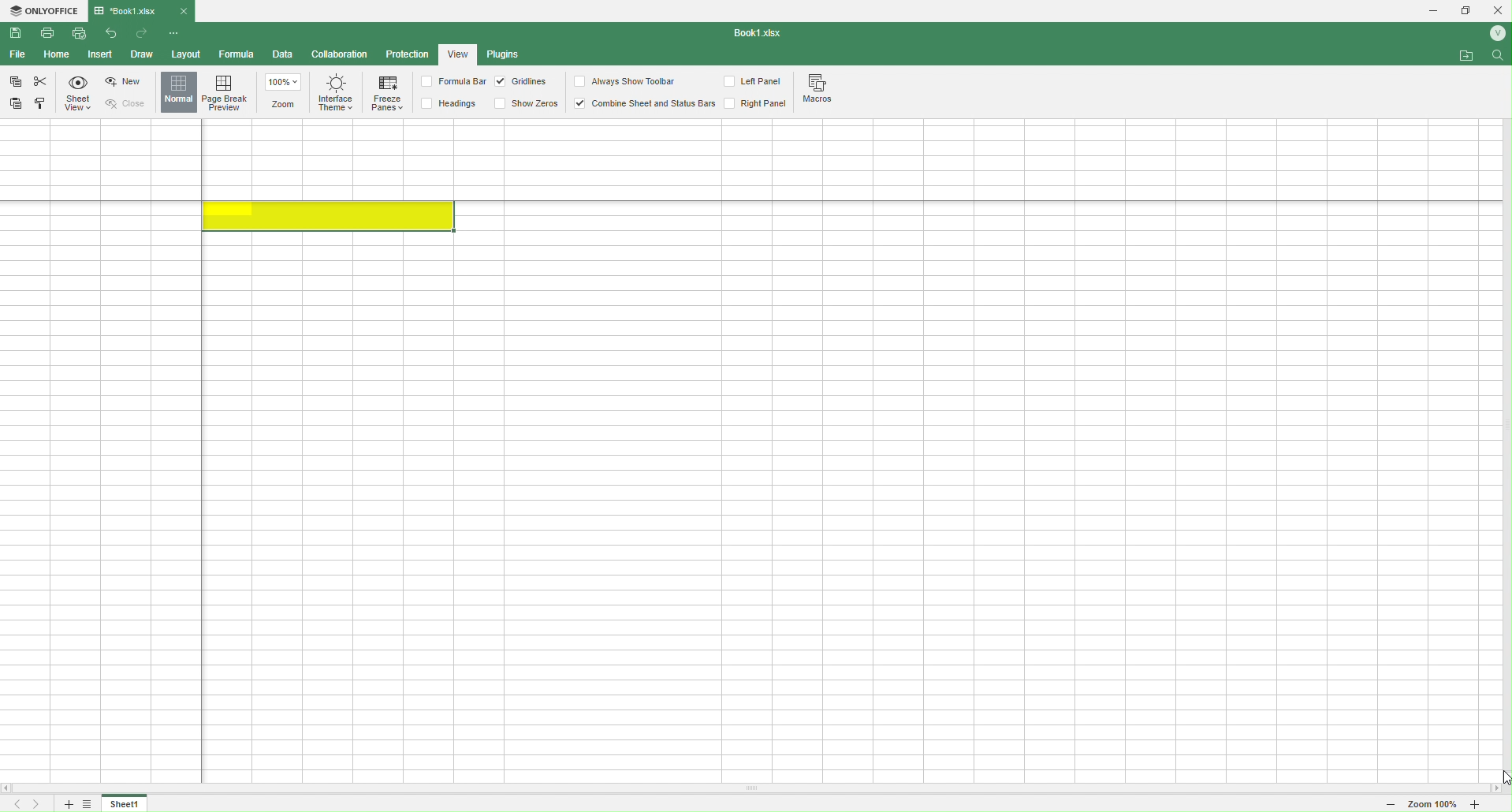 The height and width of the screenshot is (812, 1512). What do you see at coordinates (755, 83) in the screenshot?
I see `Left Panel` at bounding box center [755, 83].